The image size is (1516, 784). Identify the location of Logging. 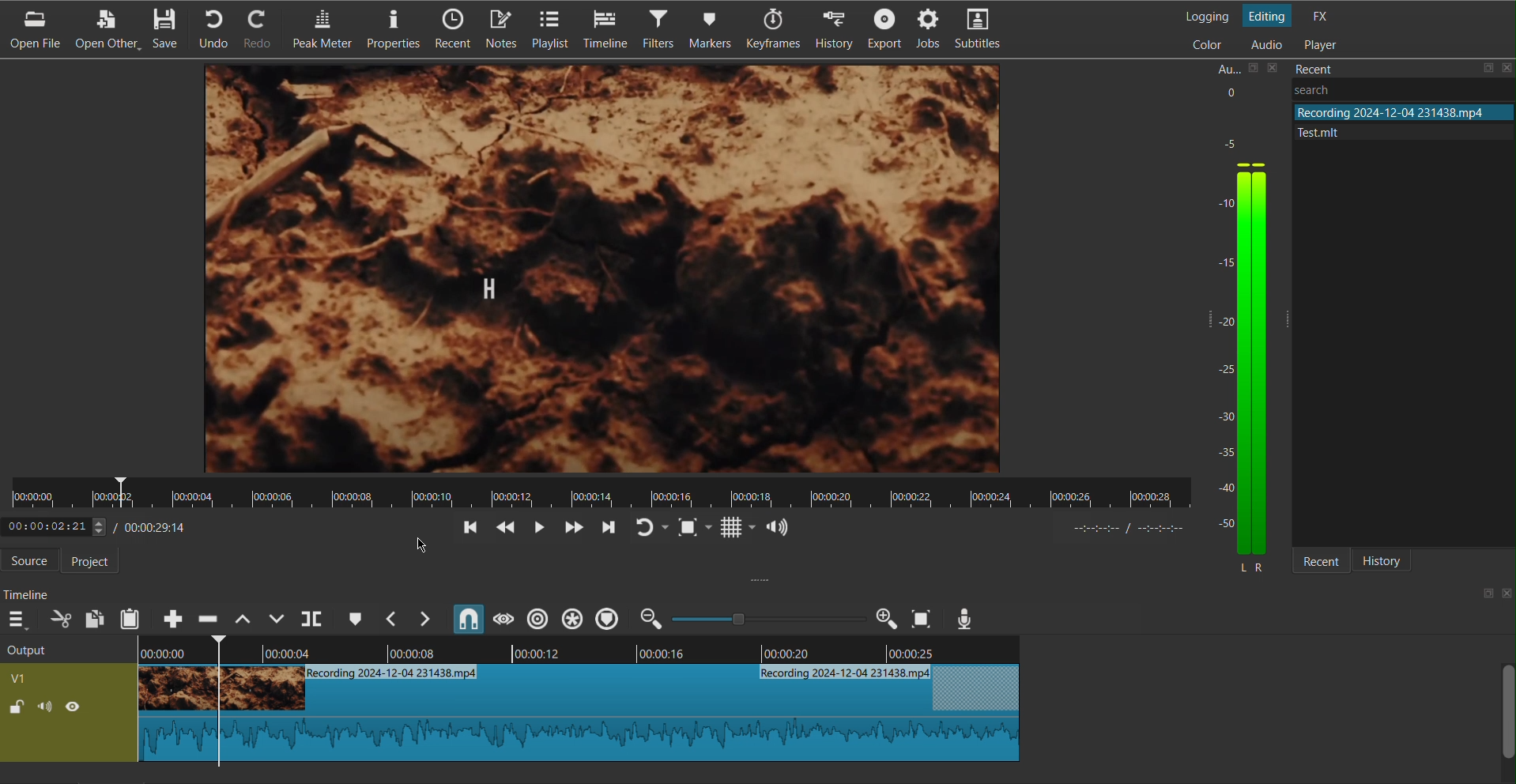
(1206, 15).